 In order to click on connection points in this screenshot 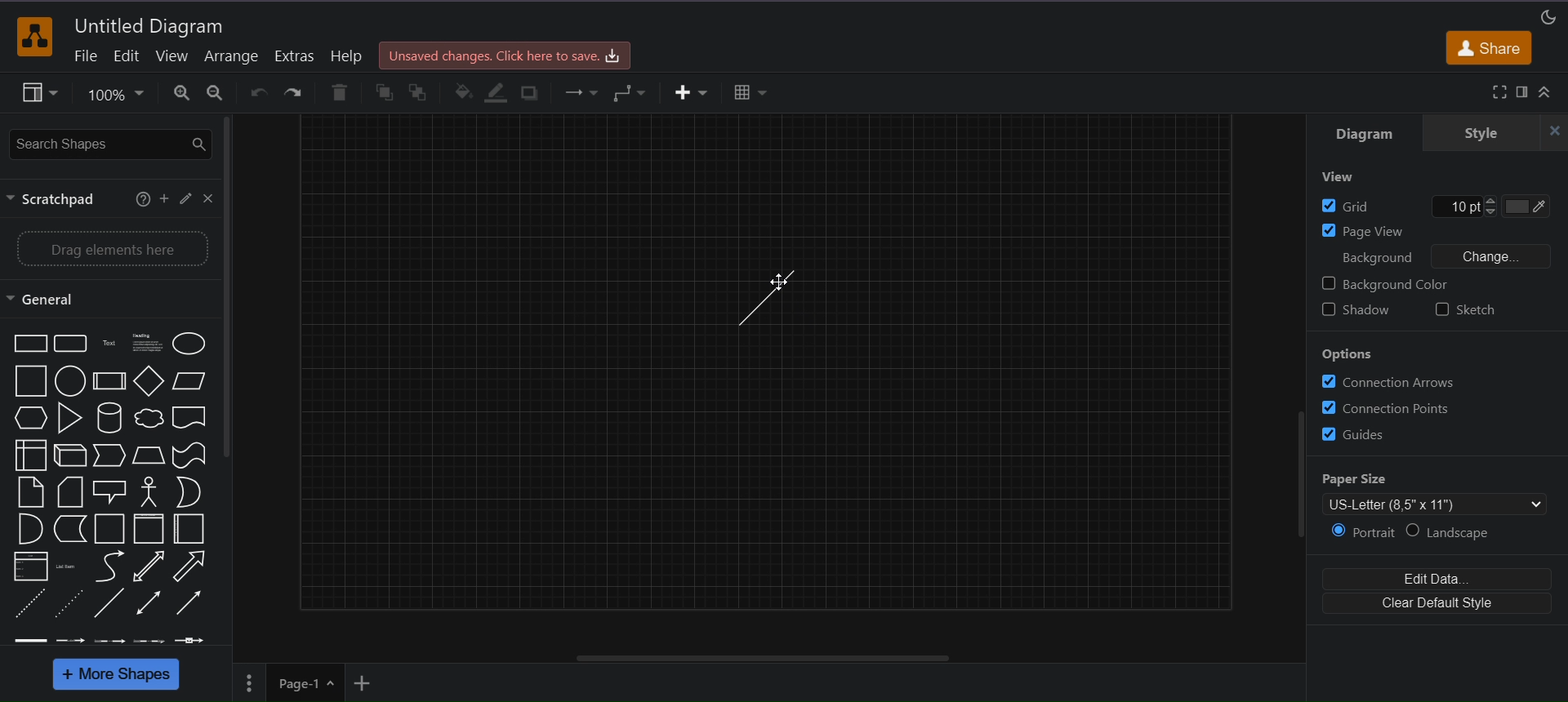, I will do `click(1392, 407)`.